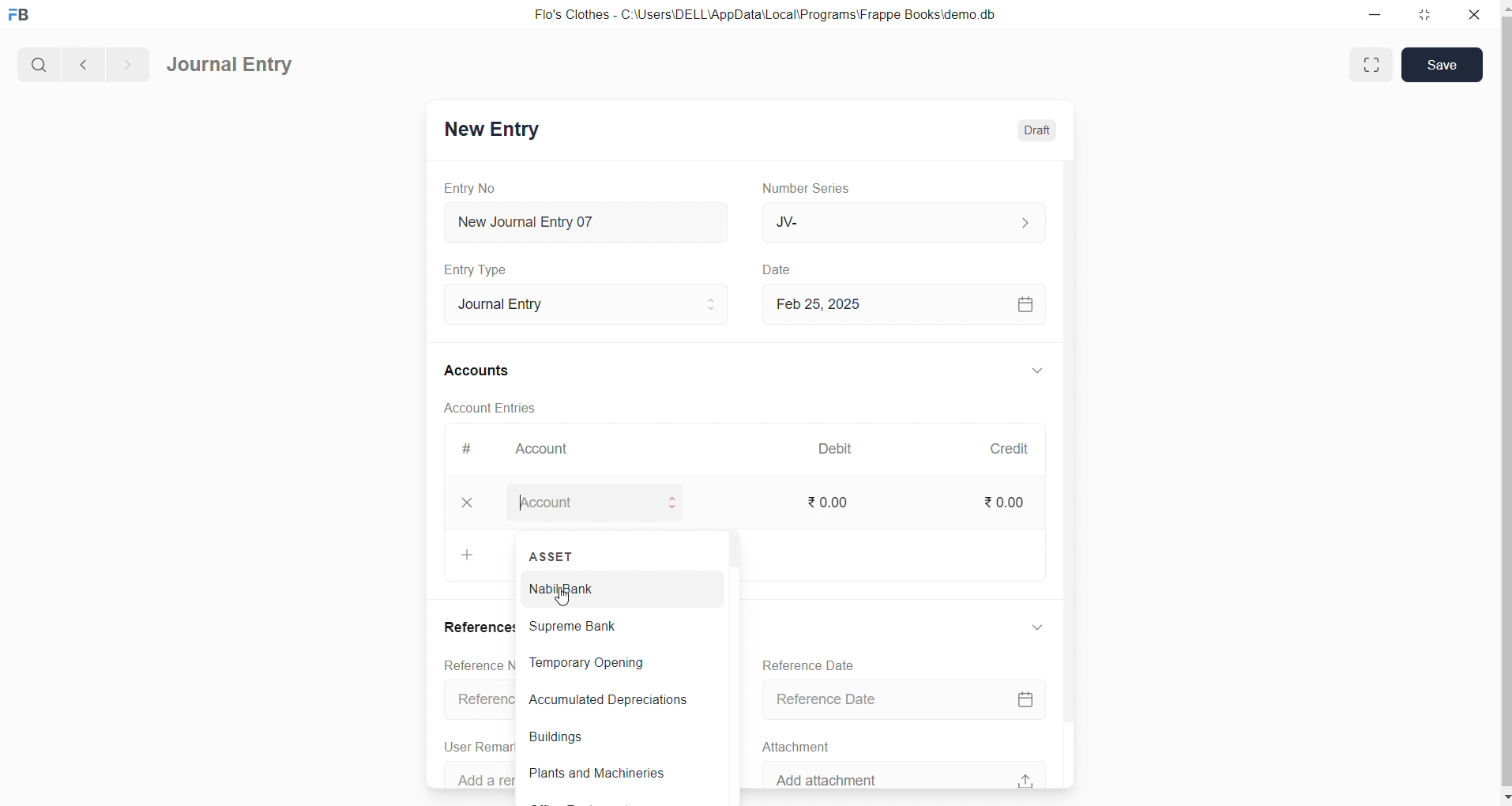  I want to click on ‘Add a remark, so click(487, 774).